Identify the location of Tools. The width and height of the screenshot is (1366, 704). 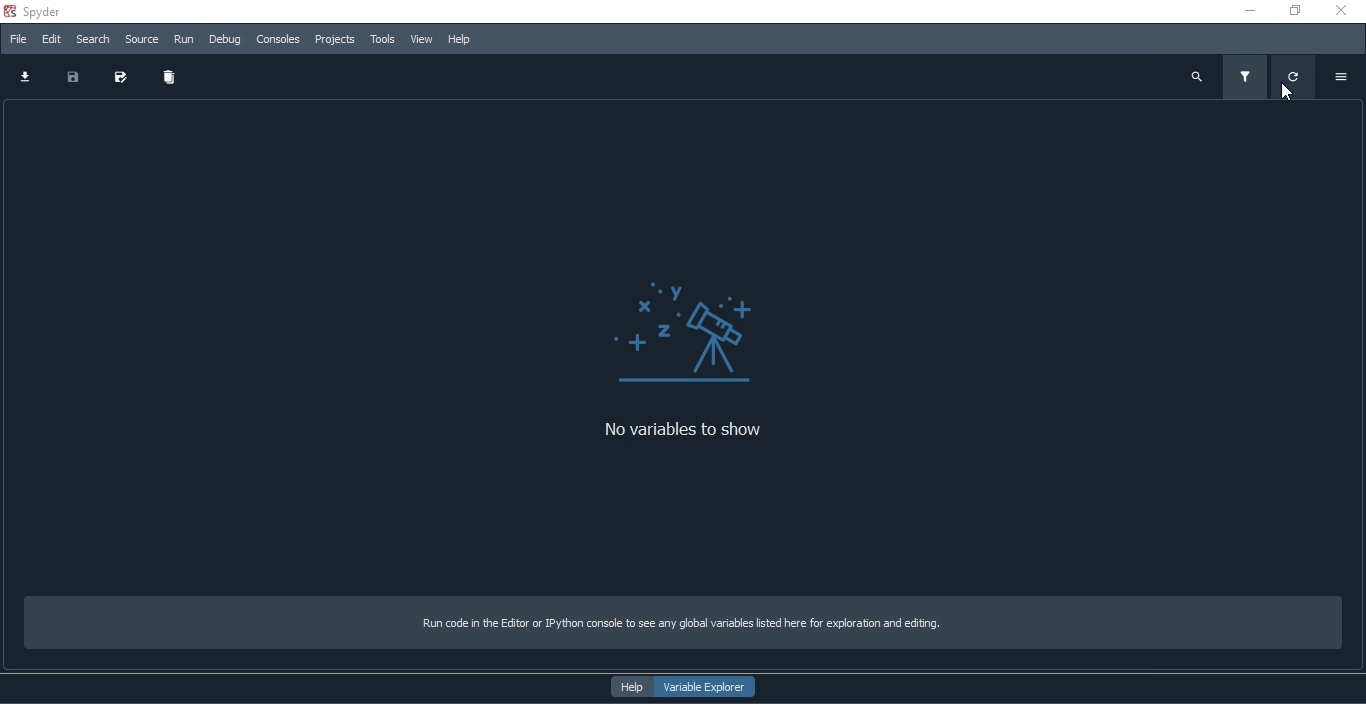
(383, 39).